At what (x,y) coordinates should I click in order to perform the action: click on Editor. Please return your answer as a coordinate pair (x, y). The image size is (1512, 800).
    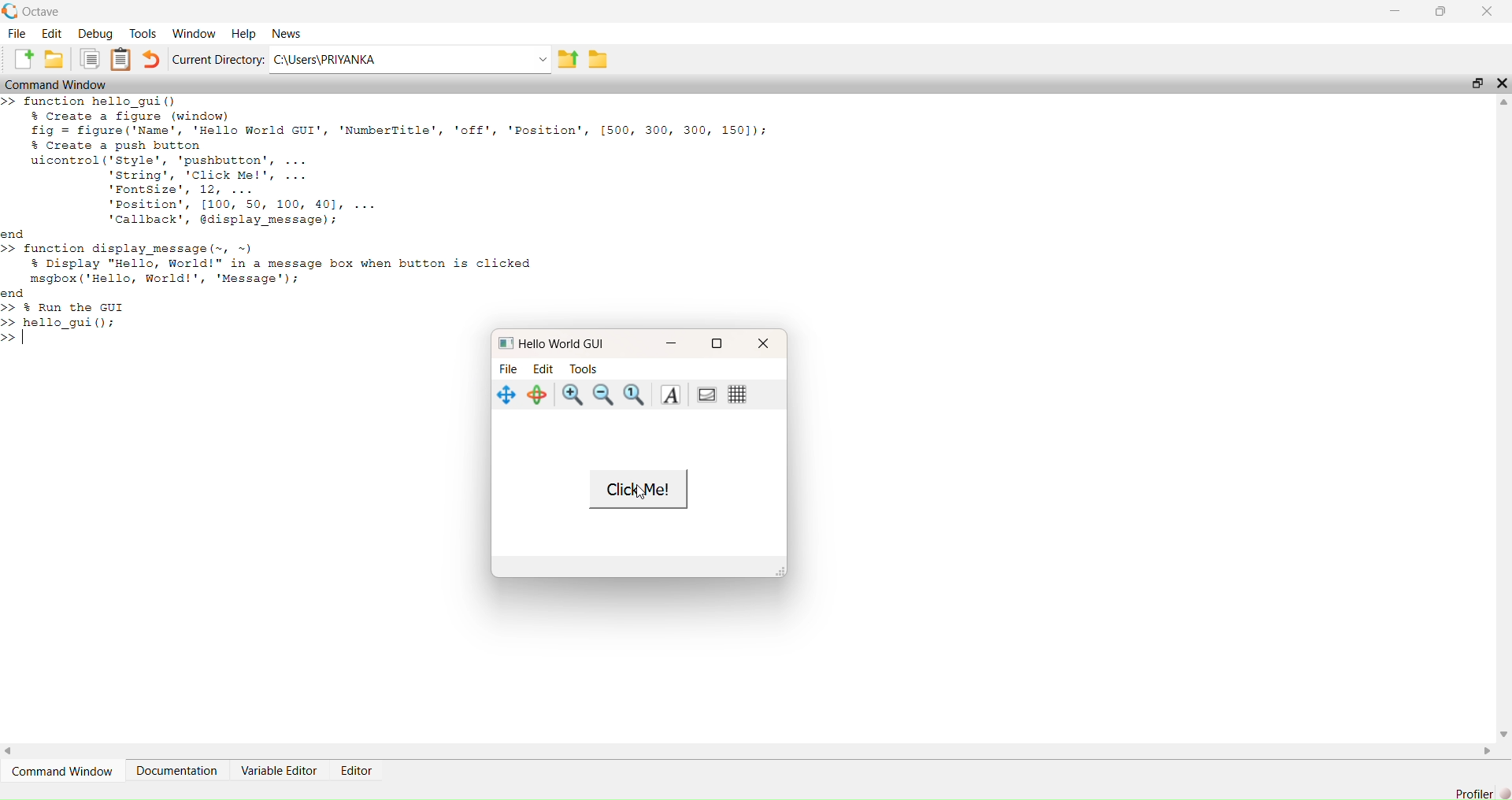
    Looking at the image, I should click on (354, 769).